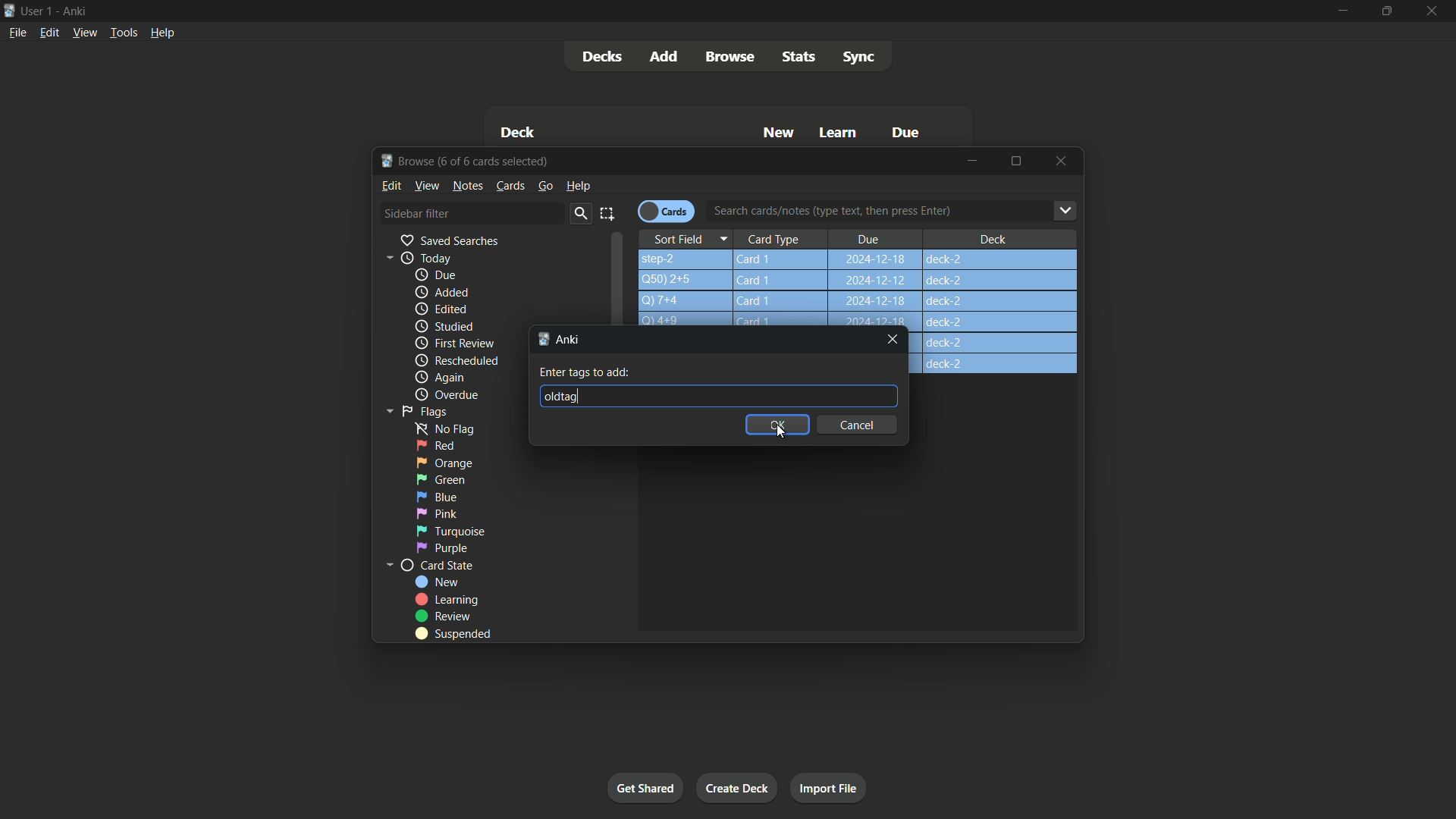 This screenshot has width=1456, height=819. Describe the element at coordinates (428, 185) in the screenshot. I see `view` at that location.